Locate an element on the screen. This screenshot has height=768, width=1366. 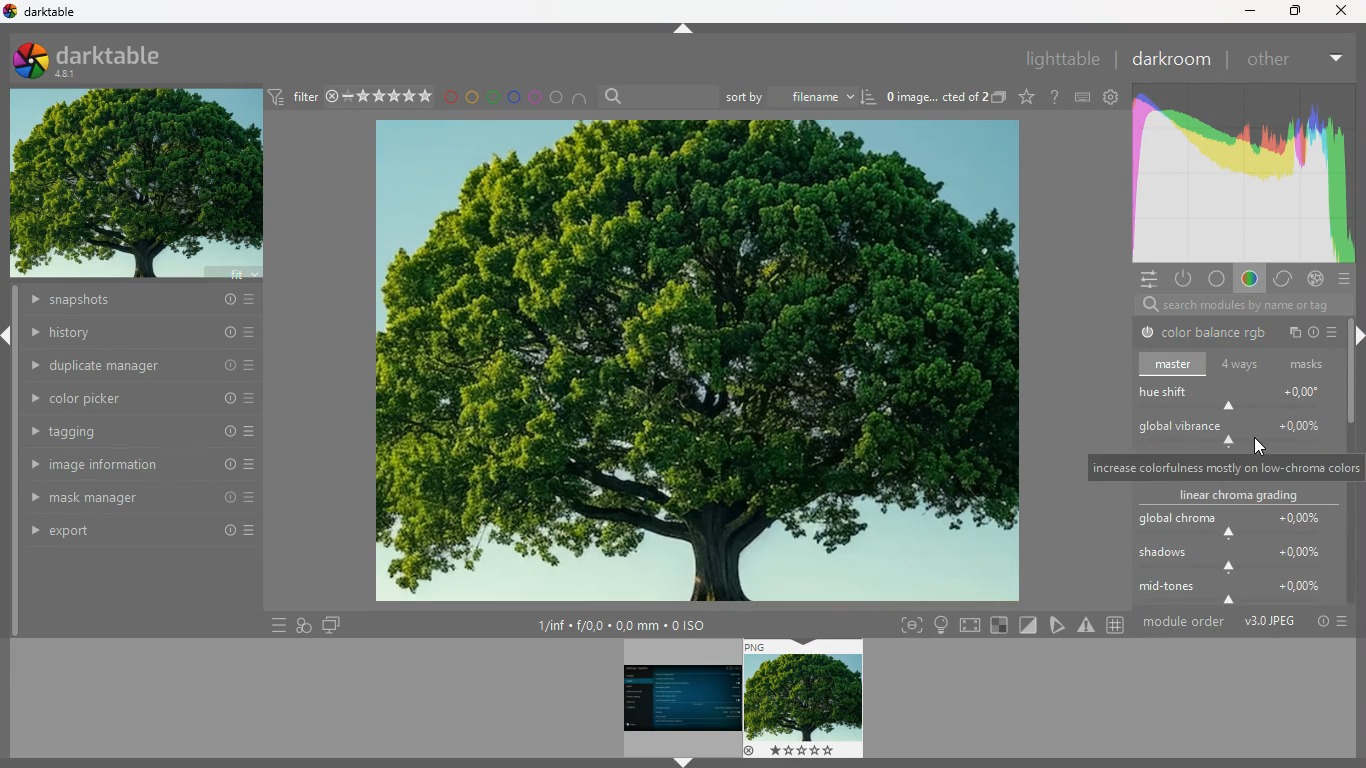
edit is located at coordinates (1059, 624).